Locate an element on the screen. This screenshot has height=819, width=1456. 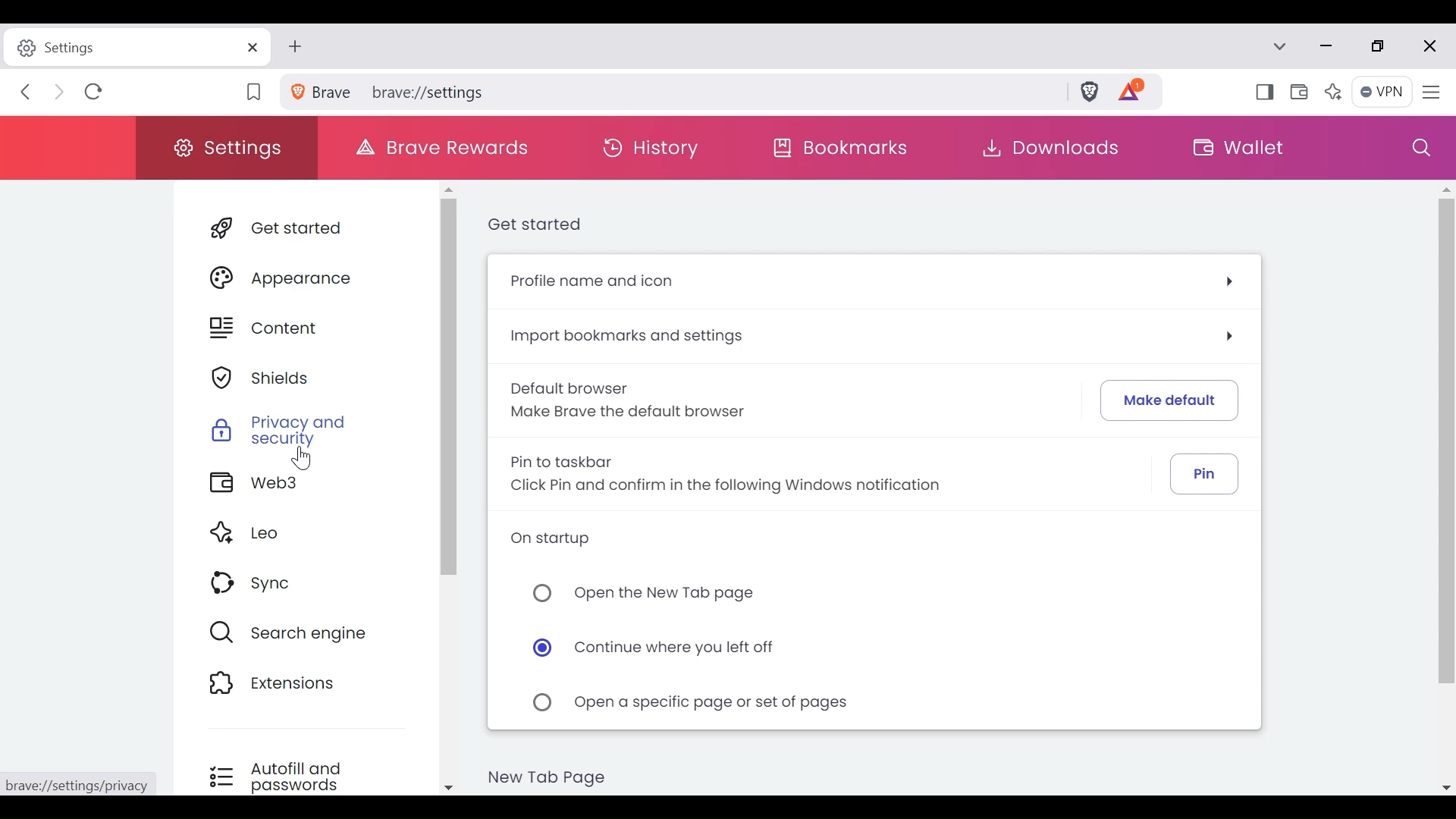
Import bookmarks and settings is located at coordinates (870, 337).